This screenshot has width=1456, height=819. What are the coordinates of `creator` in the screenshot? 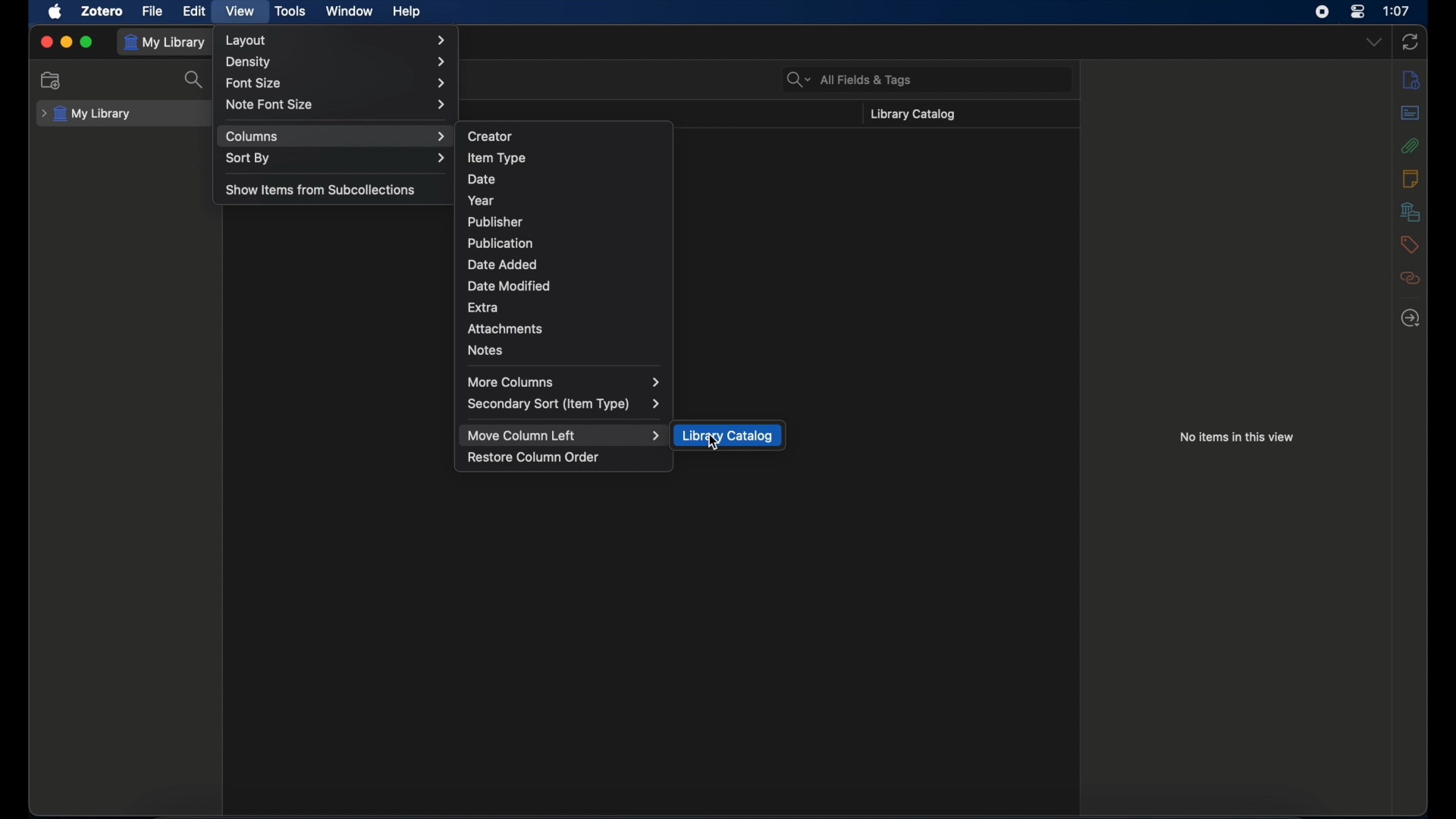 It's located at (490, 135).